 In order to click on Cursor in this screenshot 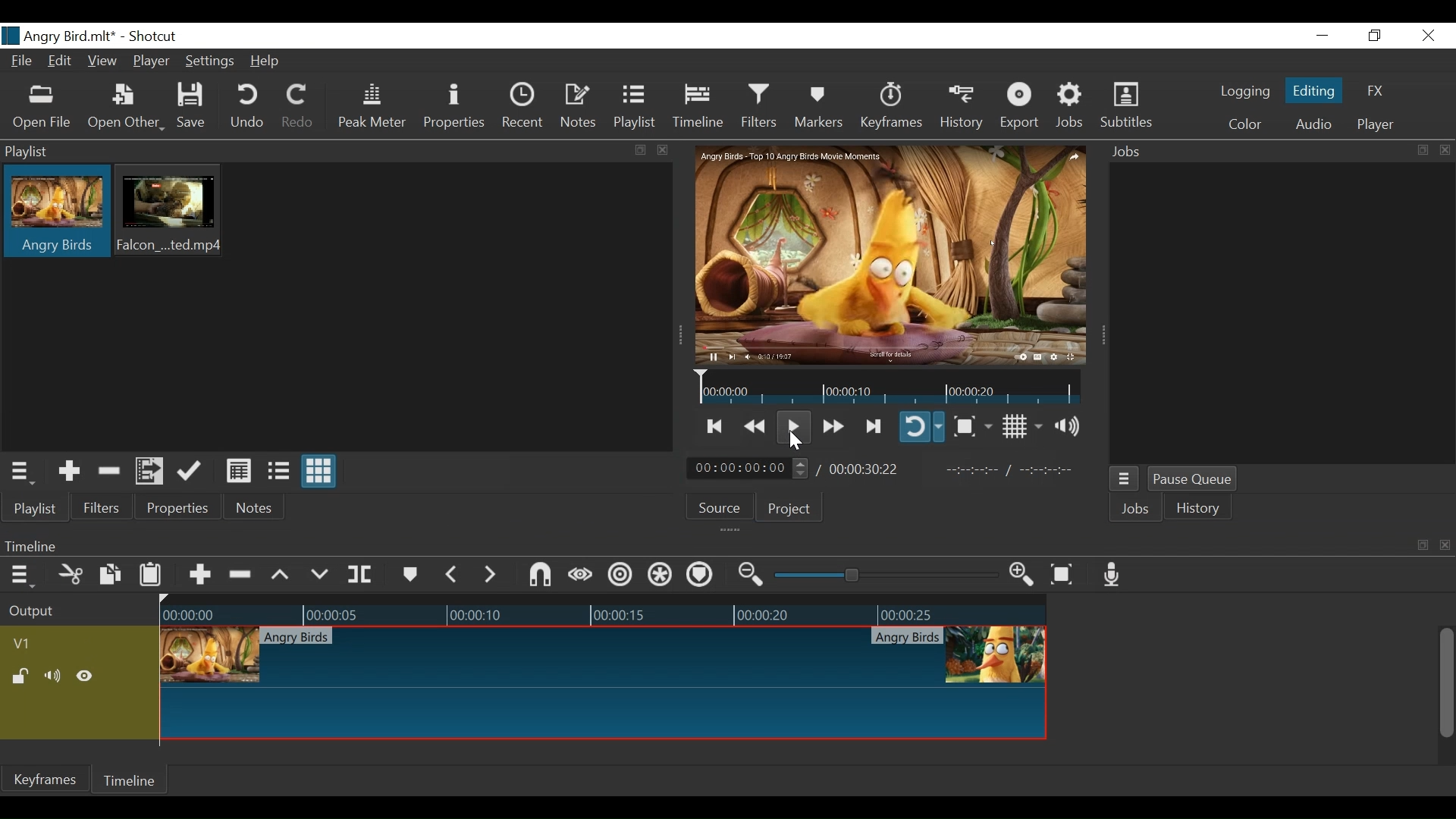, I will do `click(795, 443)`.